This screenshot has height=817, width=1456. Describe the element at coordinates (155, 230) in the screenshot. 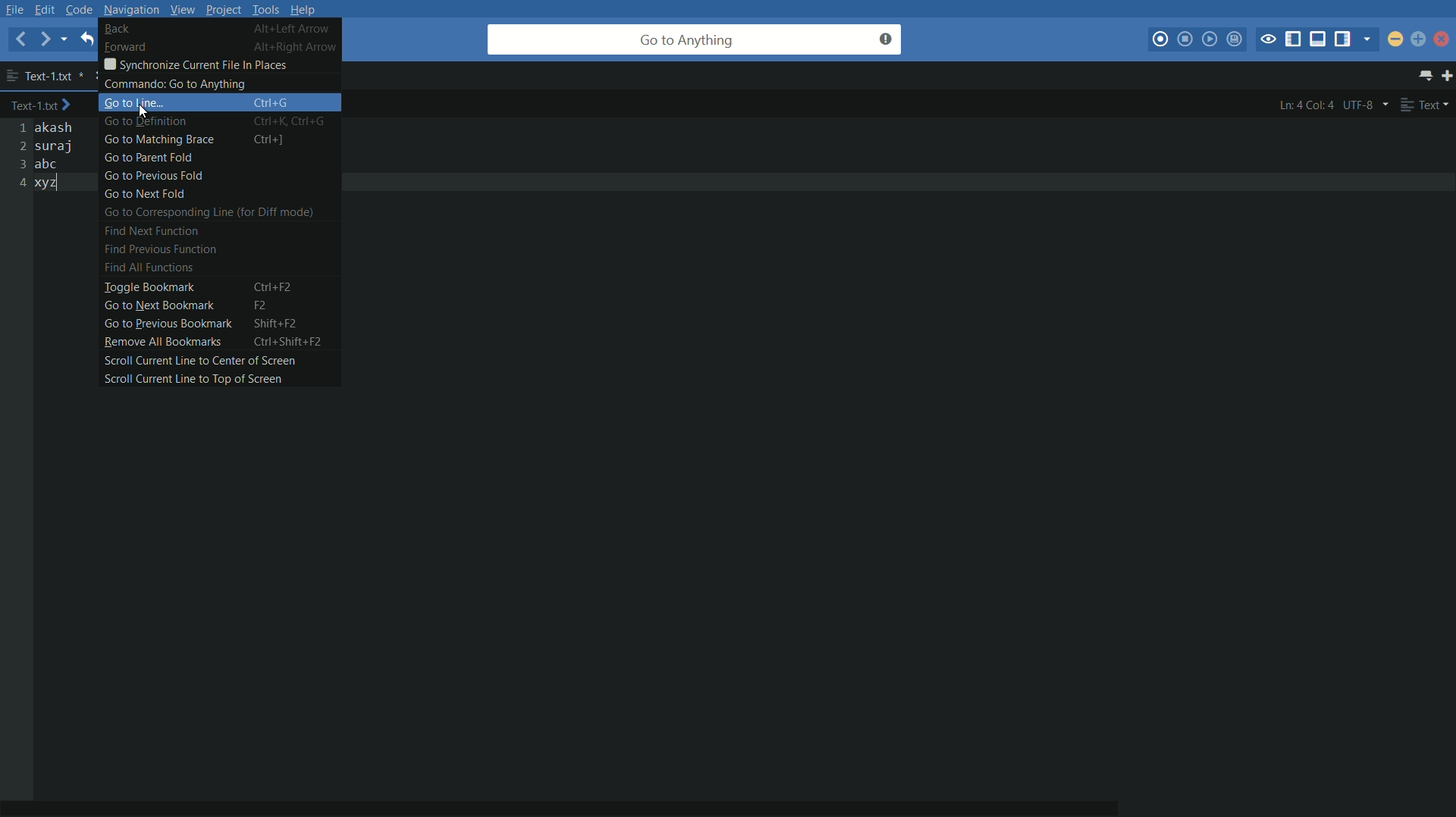

I see `find next function` at that location.